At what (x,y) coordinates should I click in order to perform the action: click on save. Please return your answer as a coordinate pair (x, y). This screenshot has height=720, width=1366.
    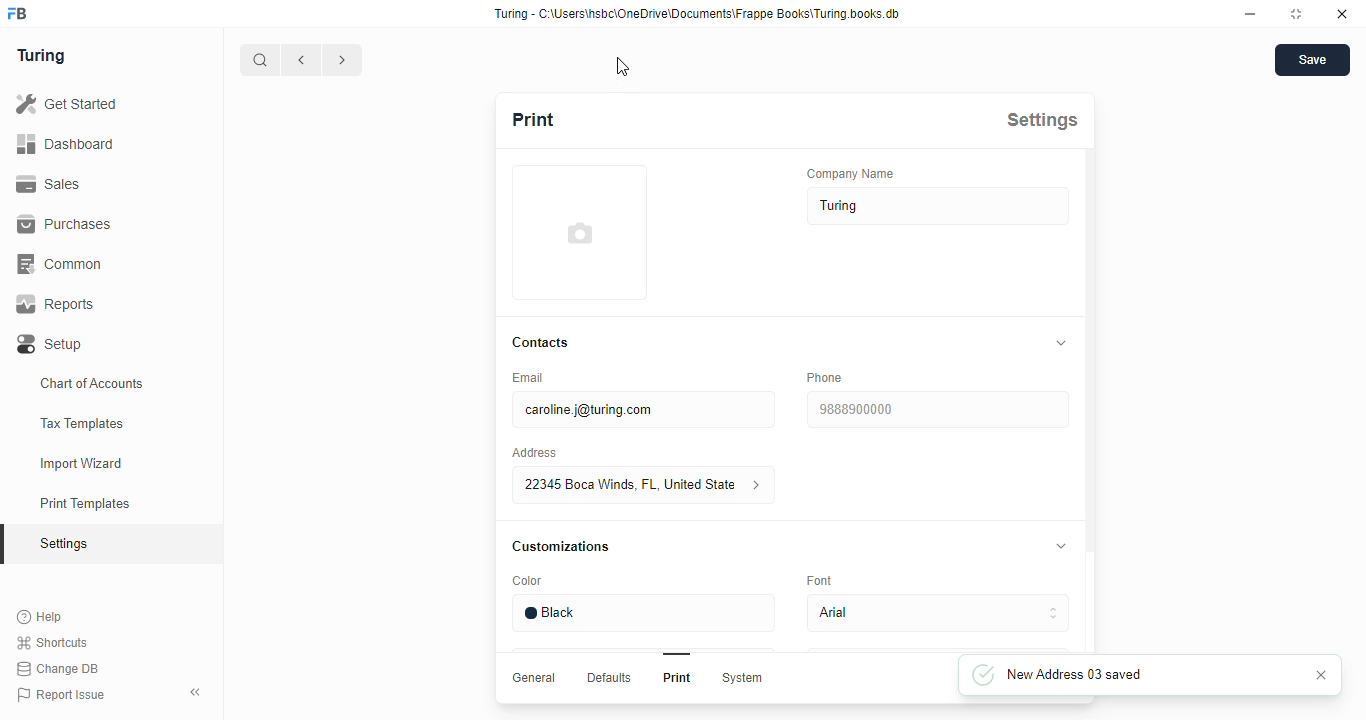
    Looking at the image, I should click on (1313, 60).